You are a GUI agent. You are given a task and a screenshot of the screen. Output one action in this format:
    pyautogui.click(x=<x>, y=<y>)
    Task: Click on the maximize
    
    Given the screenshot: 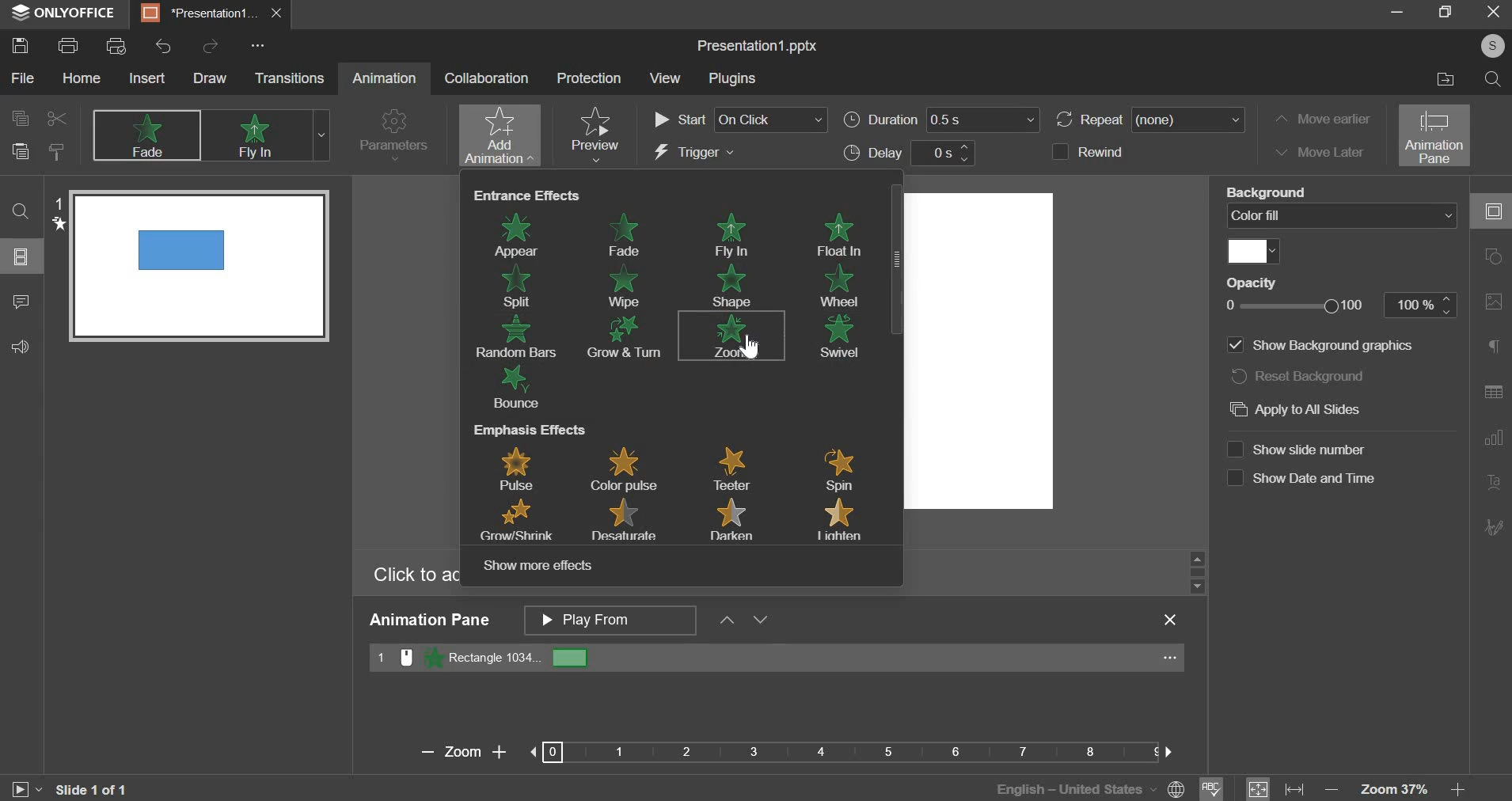 What is the action you would take?
    pyautogui.click(x=1442, y=14)
    